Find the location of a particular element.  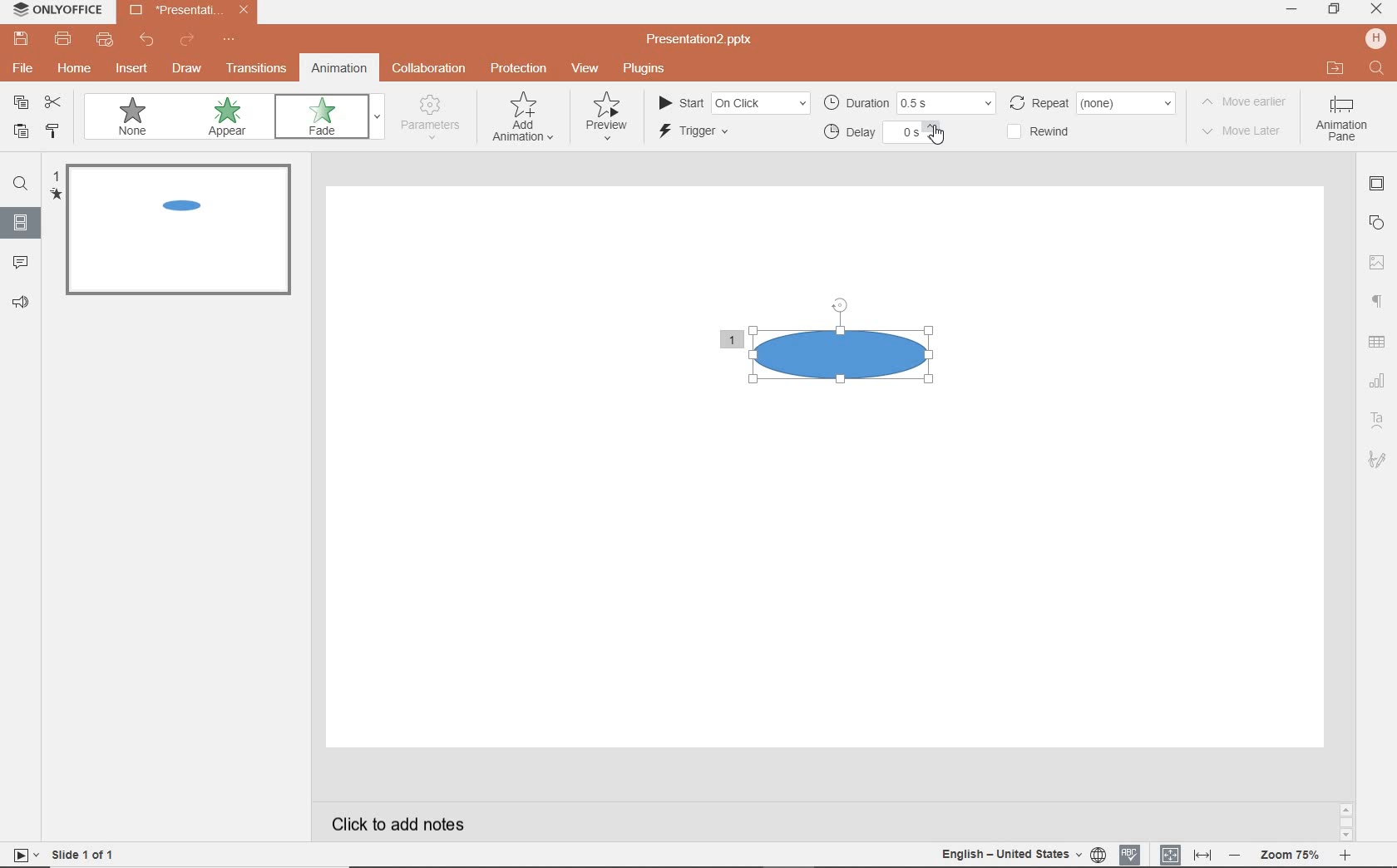

paragraph settings is located at coordinates (1376, 301).